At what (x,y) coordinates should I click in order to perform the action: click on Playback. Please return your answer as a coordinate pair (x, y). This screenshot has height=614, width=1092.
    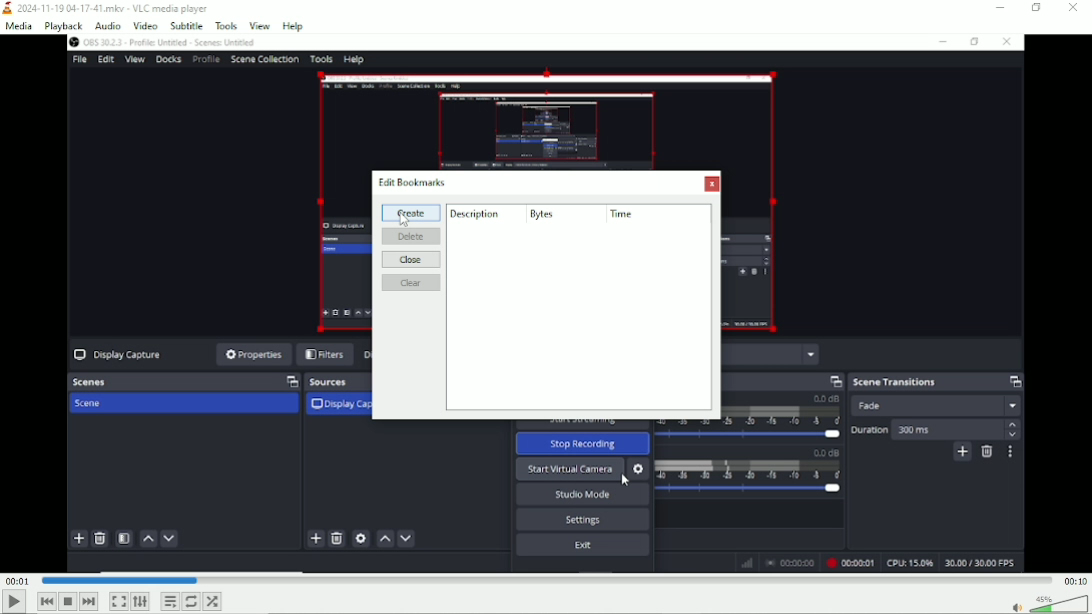
    Looking at the image, I should click on (62, 26).